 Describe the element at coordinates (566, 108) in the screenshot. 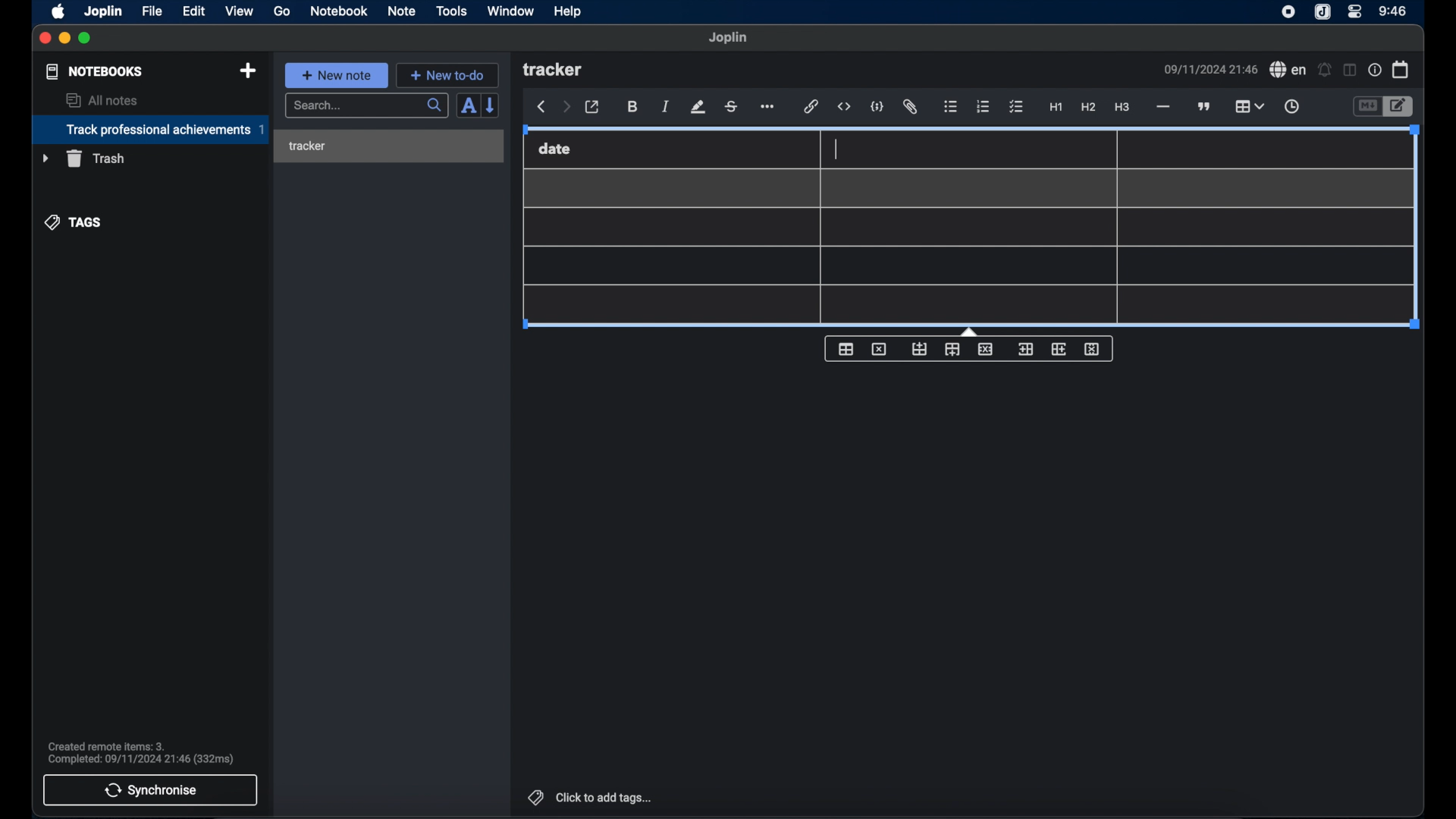

I see `forward` at that location.